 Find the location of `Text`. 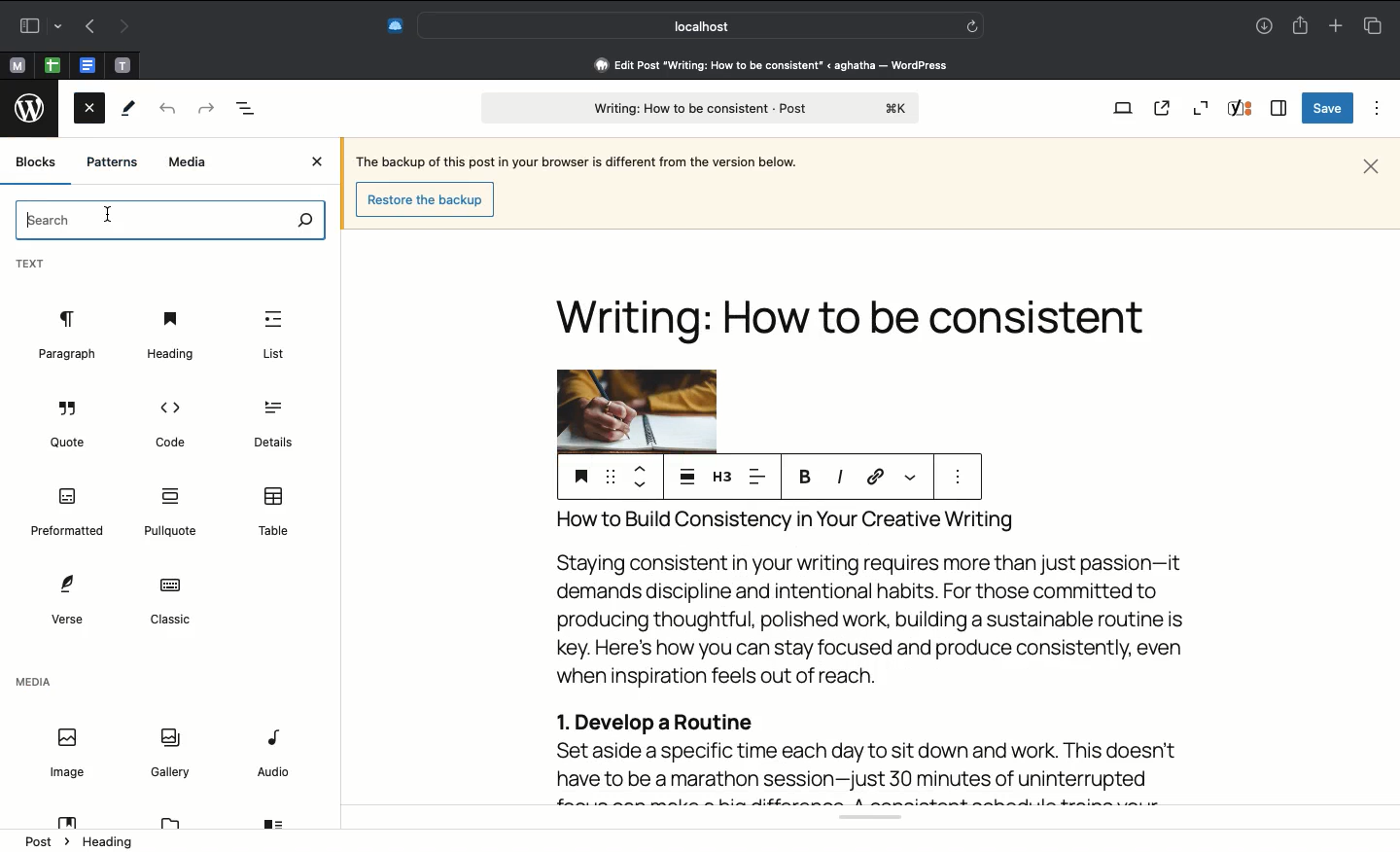

Text is located at coordinates (31, 266).